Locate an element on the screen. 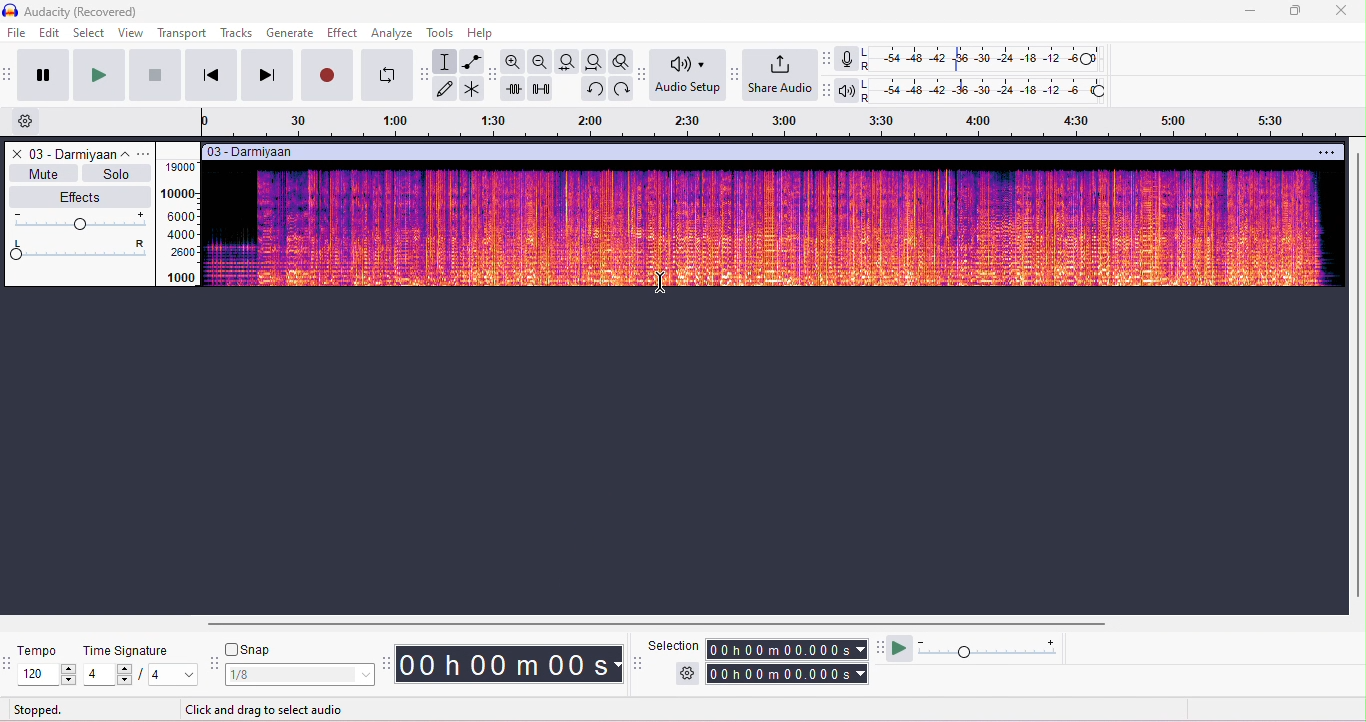 Image resolution: width=1366 pixels, height=722 pixels. time signature is located at coordinates (129, 651).